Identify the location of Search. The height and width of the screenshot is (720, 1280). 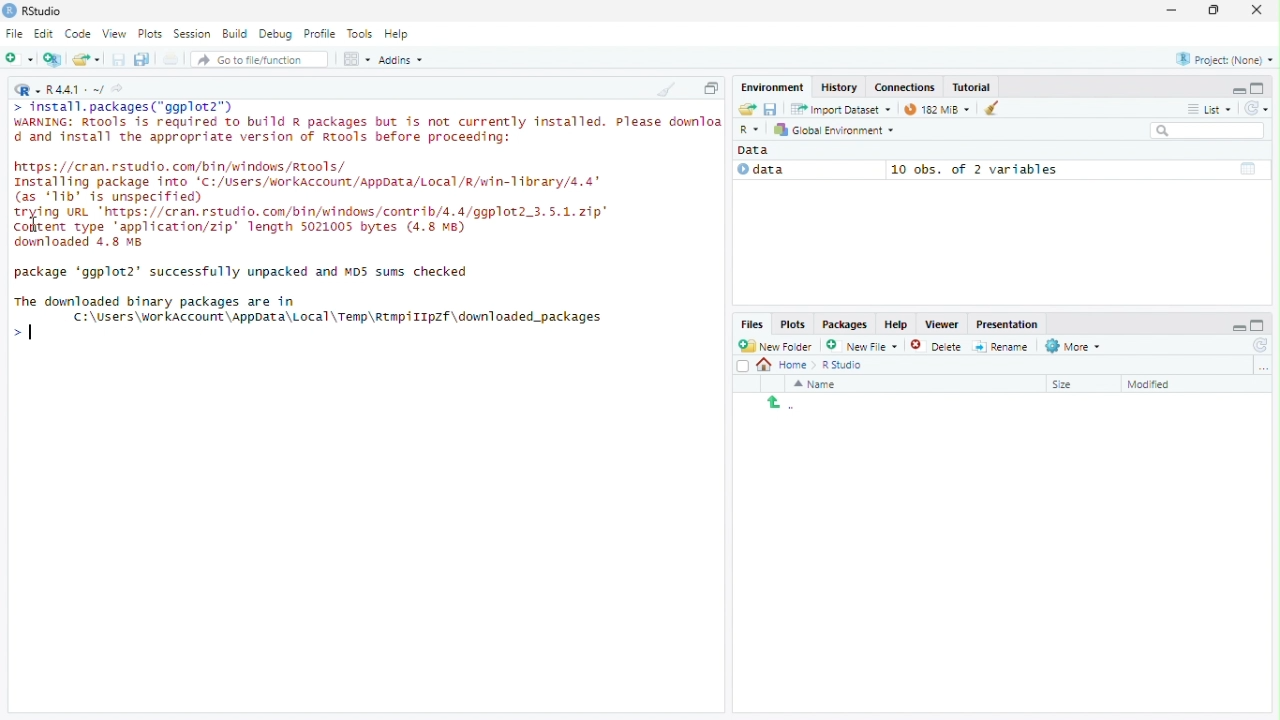
(1209, 131).